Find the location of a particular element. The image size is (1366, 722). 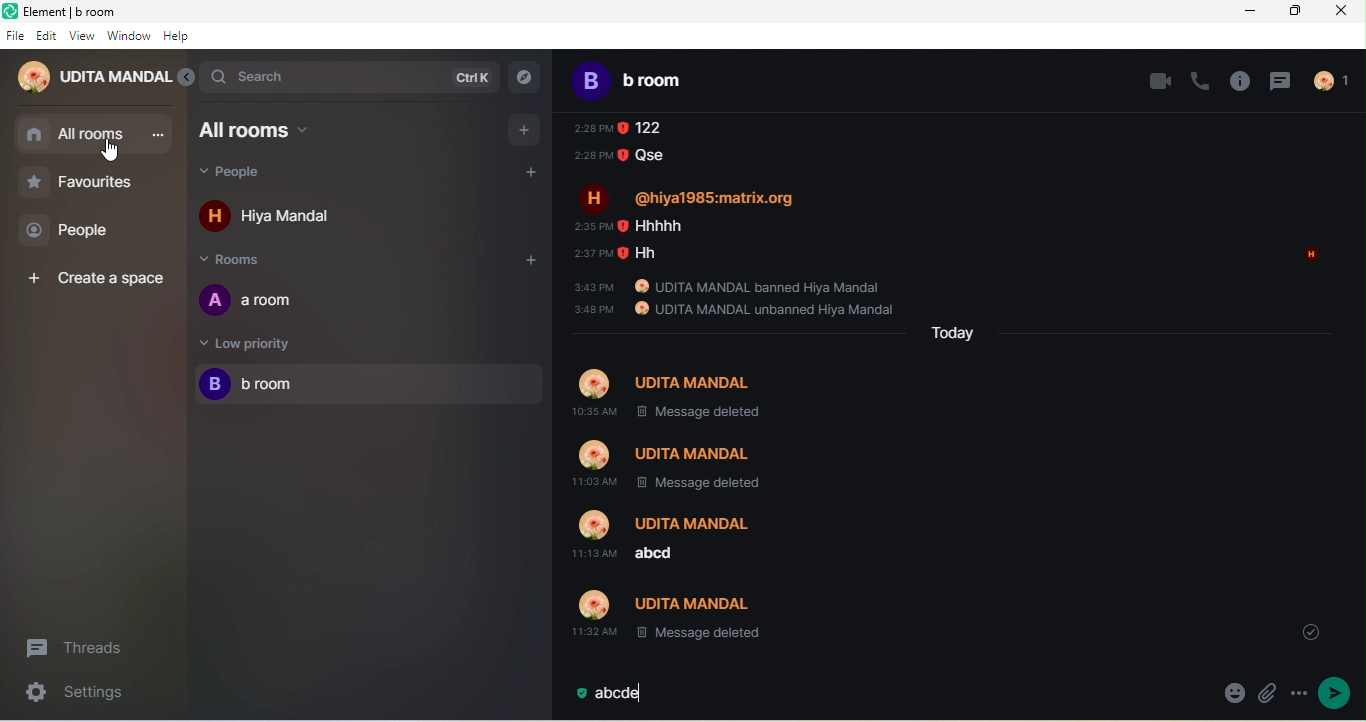

add room is located at coordinates (530, 260).